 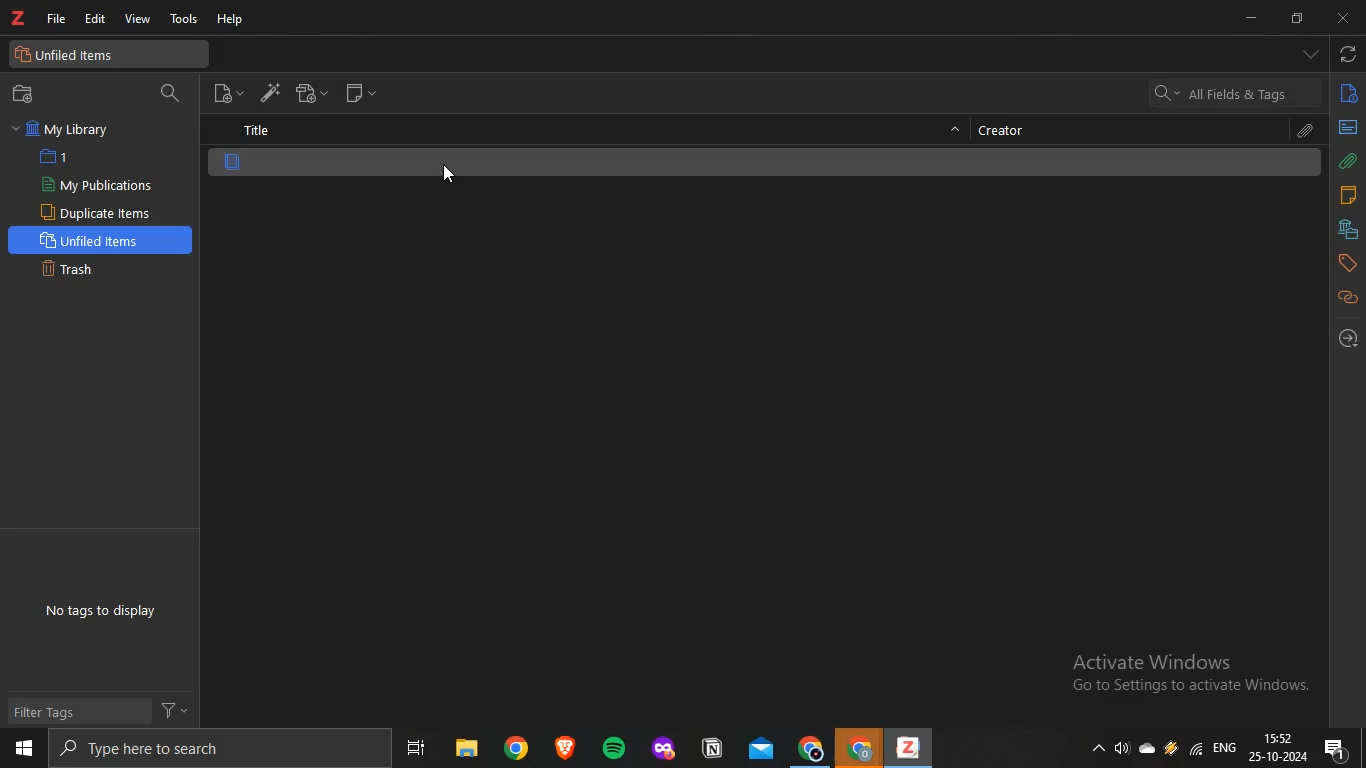 What do you see at coordinates (313, 93) in the screenshot?
I see `add attachment` at bounding box center [313, 93].